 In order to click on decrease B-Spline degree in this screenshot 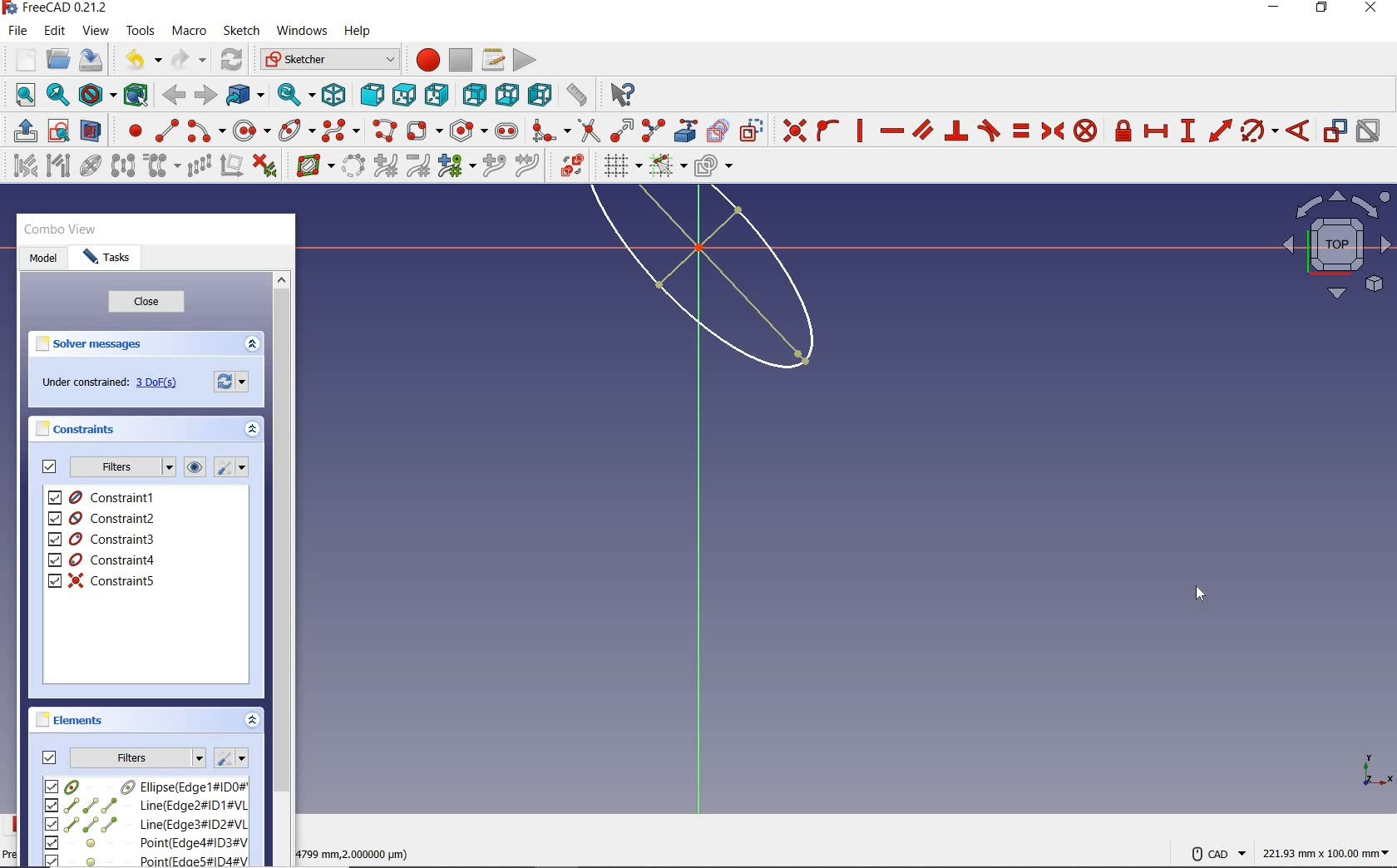, I will do `click(417, 165)`.